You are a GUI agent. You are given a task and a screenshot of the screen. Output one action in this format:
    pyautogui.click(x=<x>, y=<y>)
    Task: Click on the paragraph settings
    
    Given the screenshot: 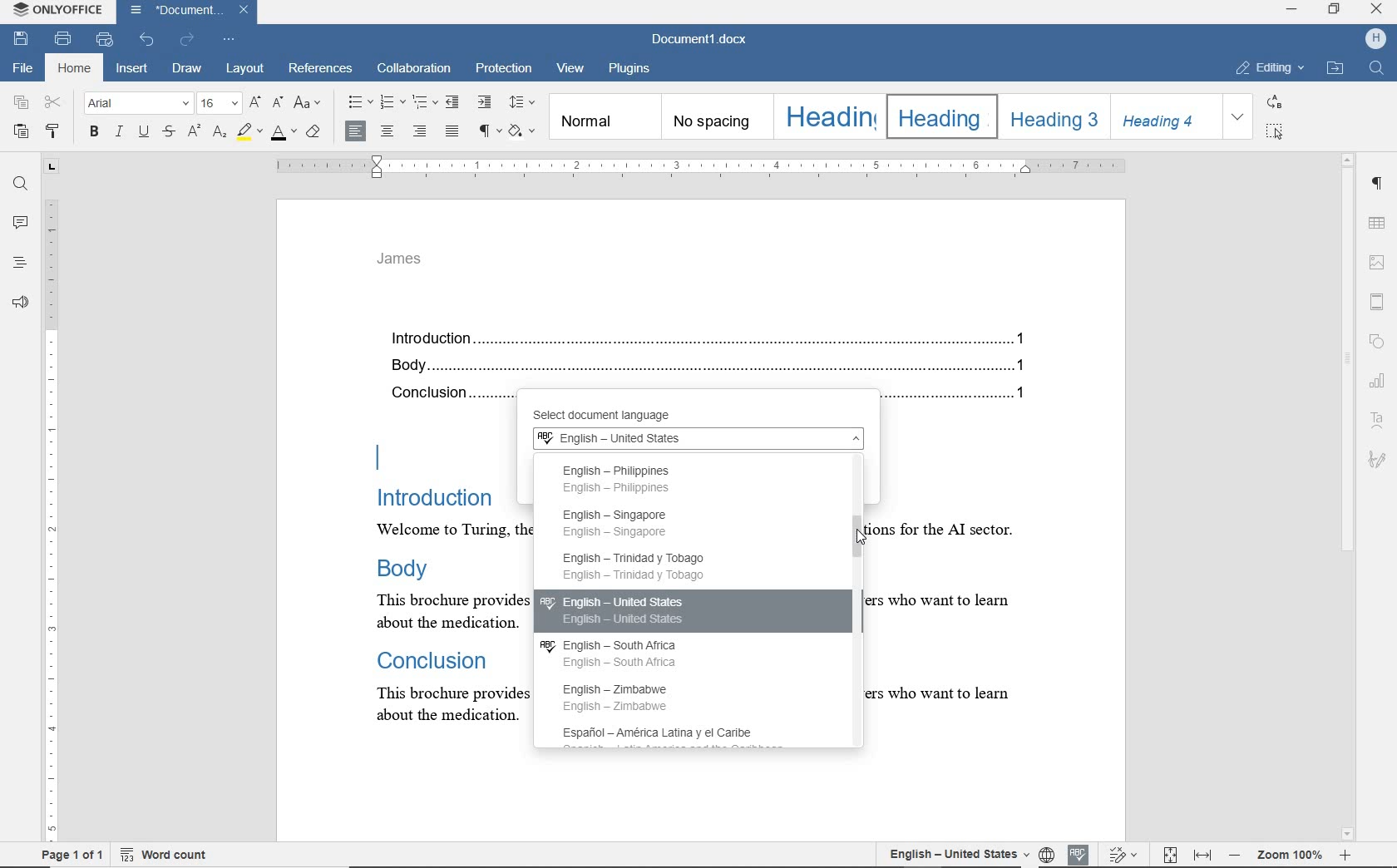 What is the action you would take?
    pyautogui.click(x=1379, y=186)
    